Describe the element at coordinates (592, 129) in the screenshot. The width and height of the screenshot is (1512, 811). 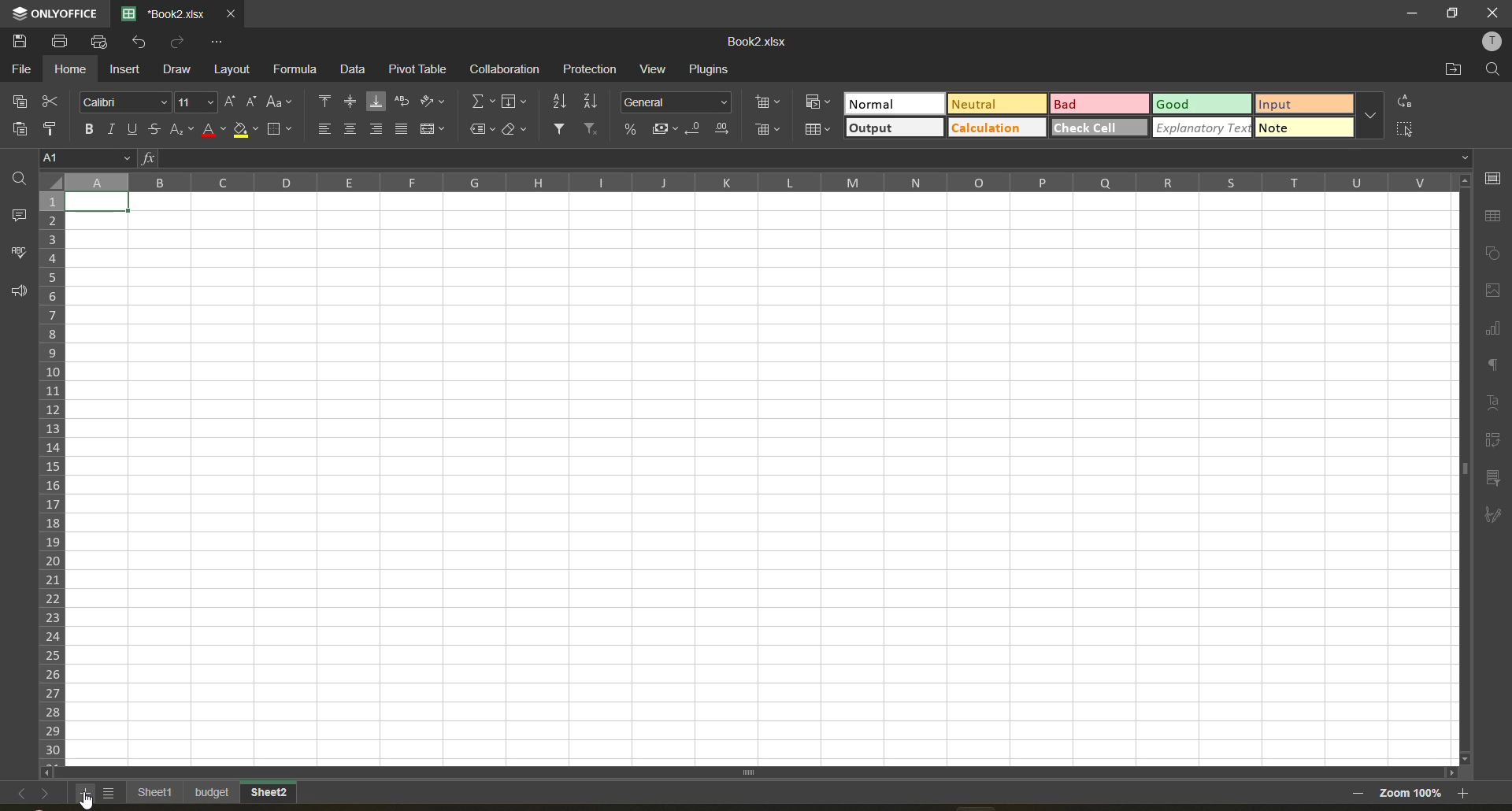
I see `clear filter` at that location.